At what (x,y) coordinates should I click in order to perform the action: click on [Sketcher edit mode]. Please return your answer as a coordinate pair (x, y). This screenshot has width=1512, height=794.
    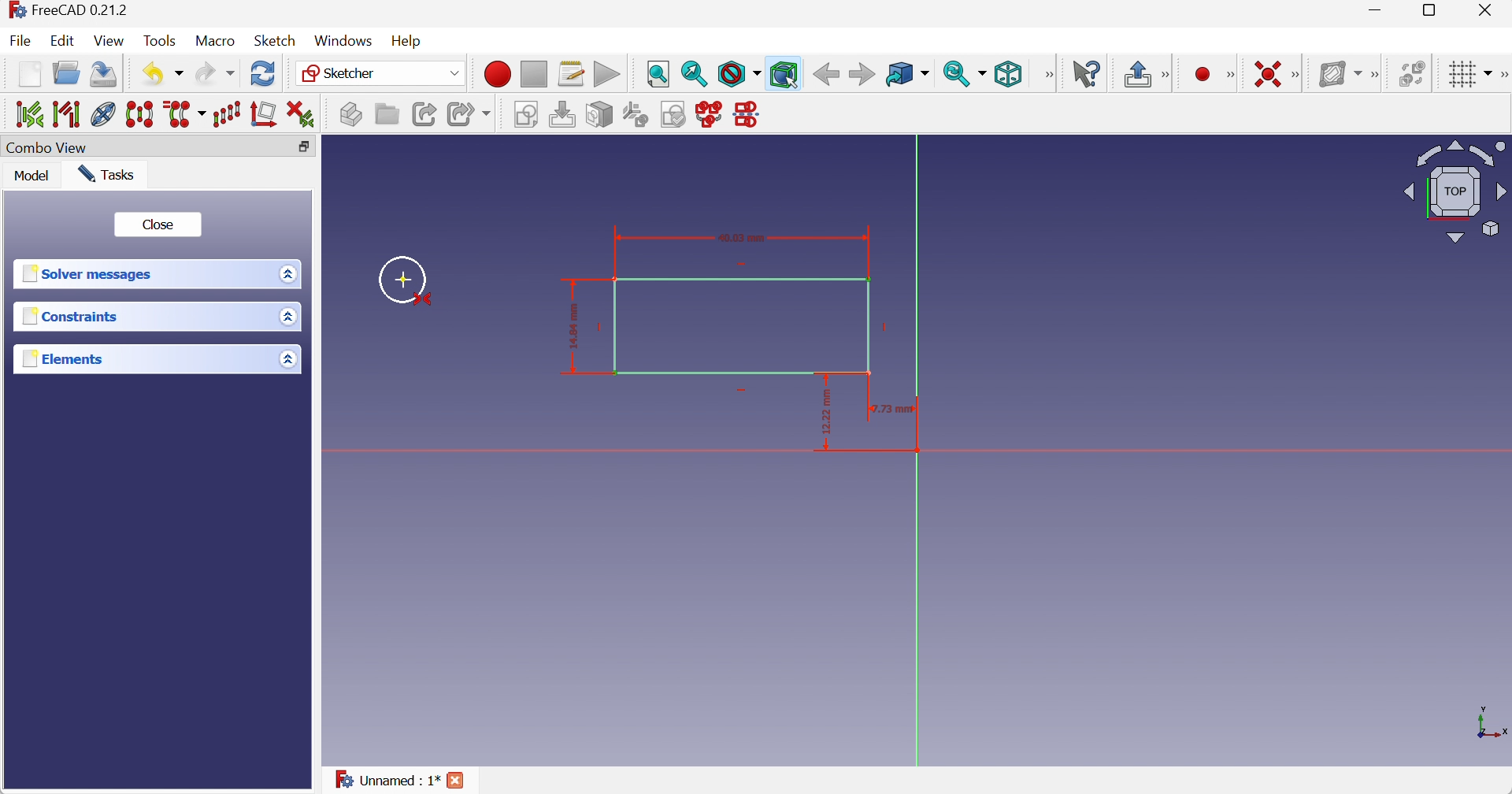
    Looking at the image, I should click on (1168, 76).